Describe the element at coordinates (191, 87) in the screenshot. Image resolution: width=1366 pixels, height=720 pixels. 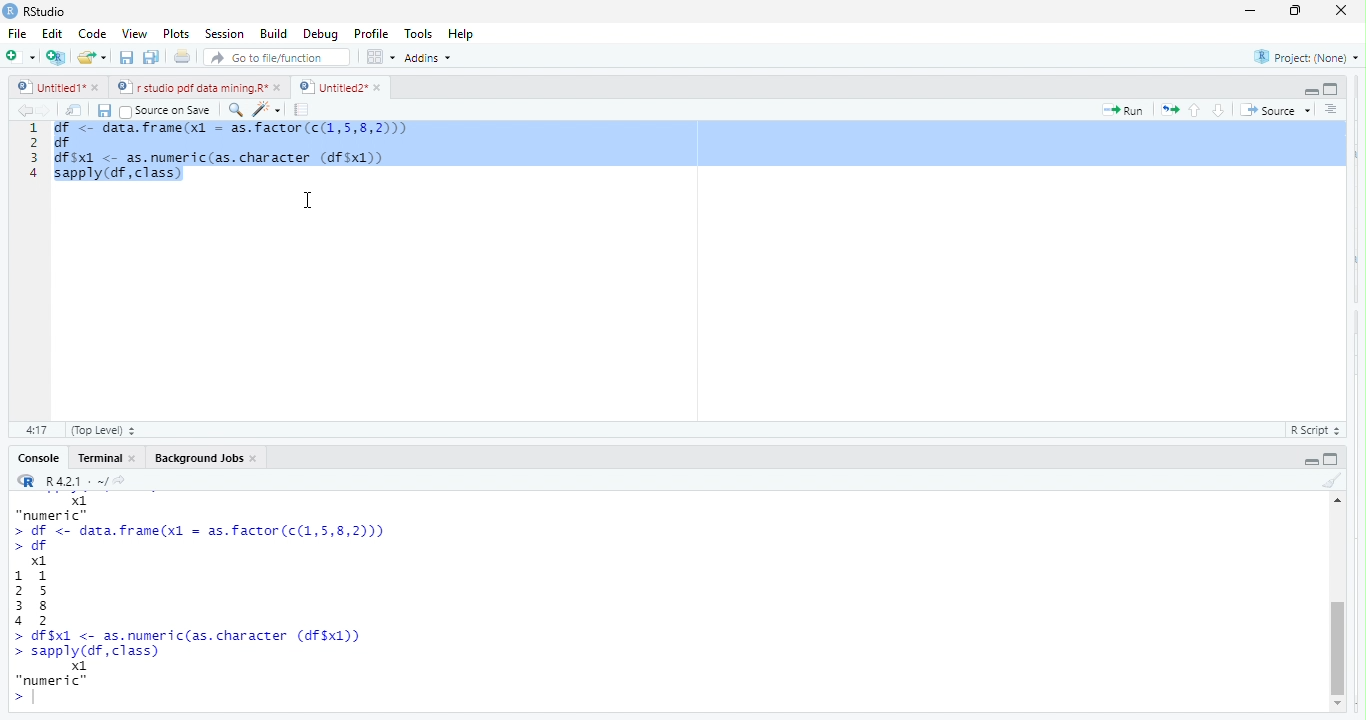
I see `rstudio pdf data mining.R’` at that location.